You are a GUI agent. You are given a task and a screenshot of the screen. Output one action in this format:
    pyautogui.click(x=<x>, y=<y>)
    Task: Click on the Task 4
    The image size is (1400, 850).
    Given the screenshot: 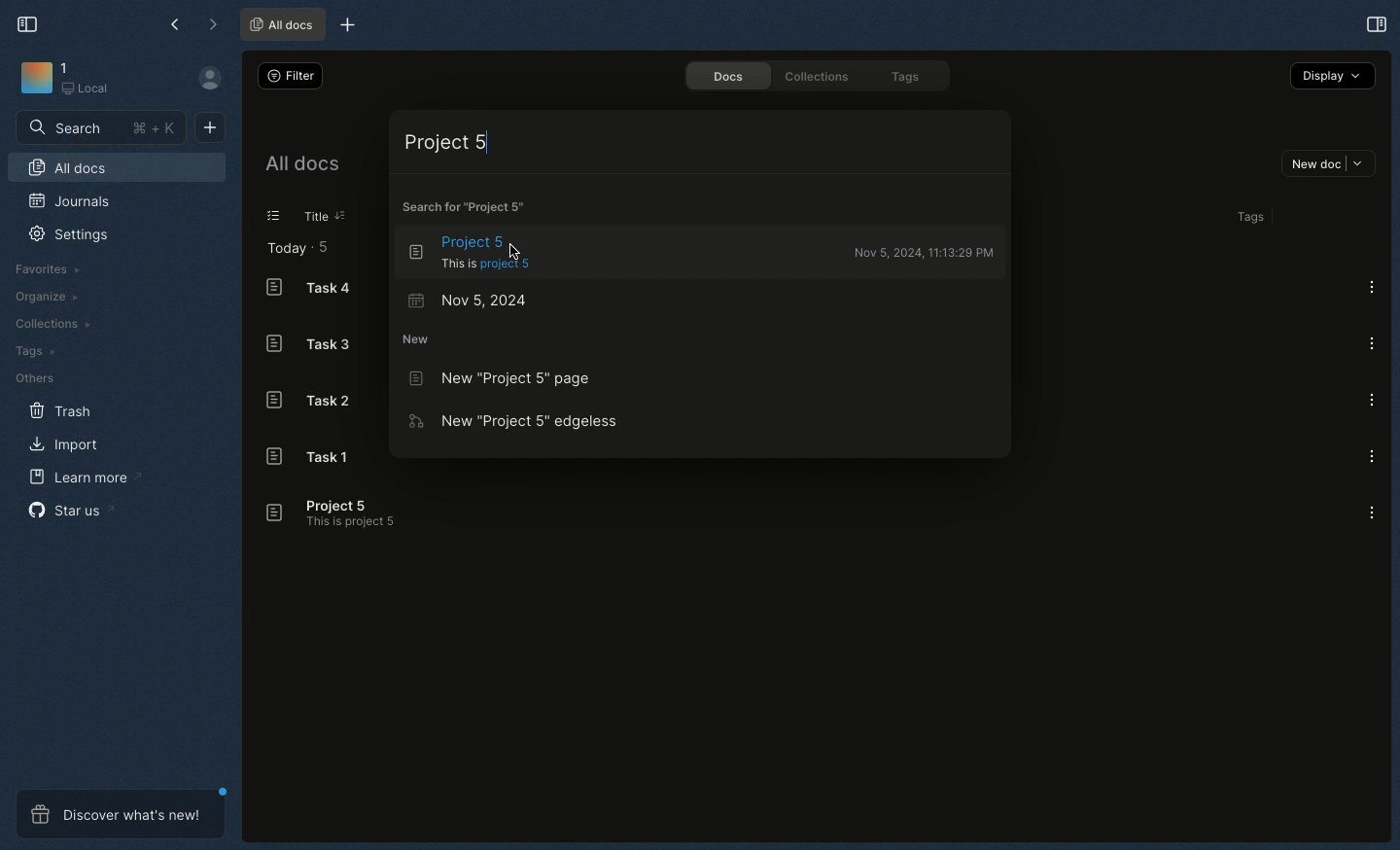 What is the action you would take?
    pyautogui.click(x=308, y=289)
    